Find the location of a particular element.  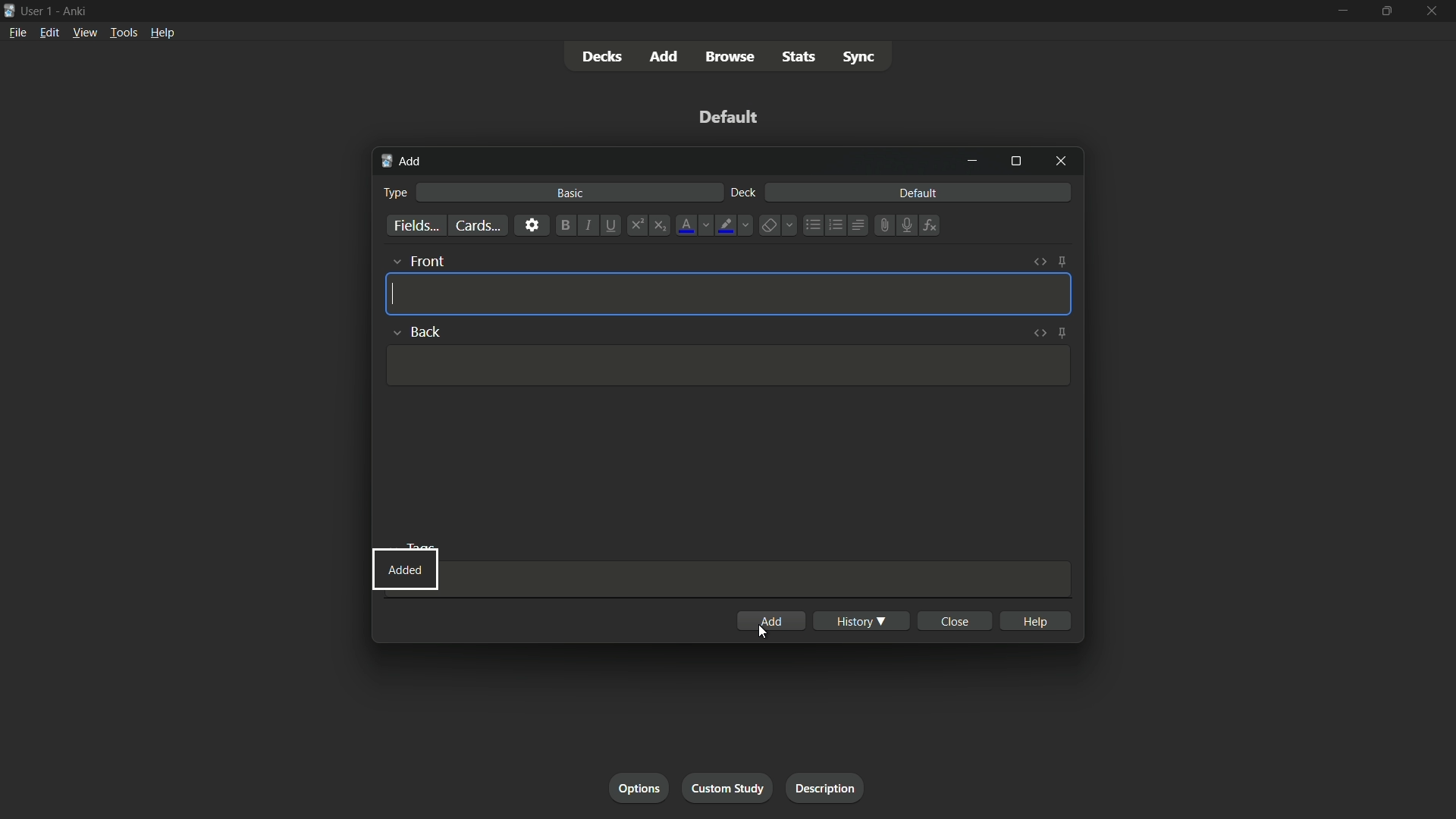

fields is located at coordinates (415, 226).